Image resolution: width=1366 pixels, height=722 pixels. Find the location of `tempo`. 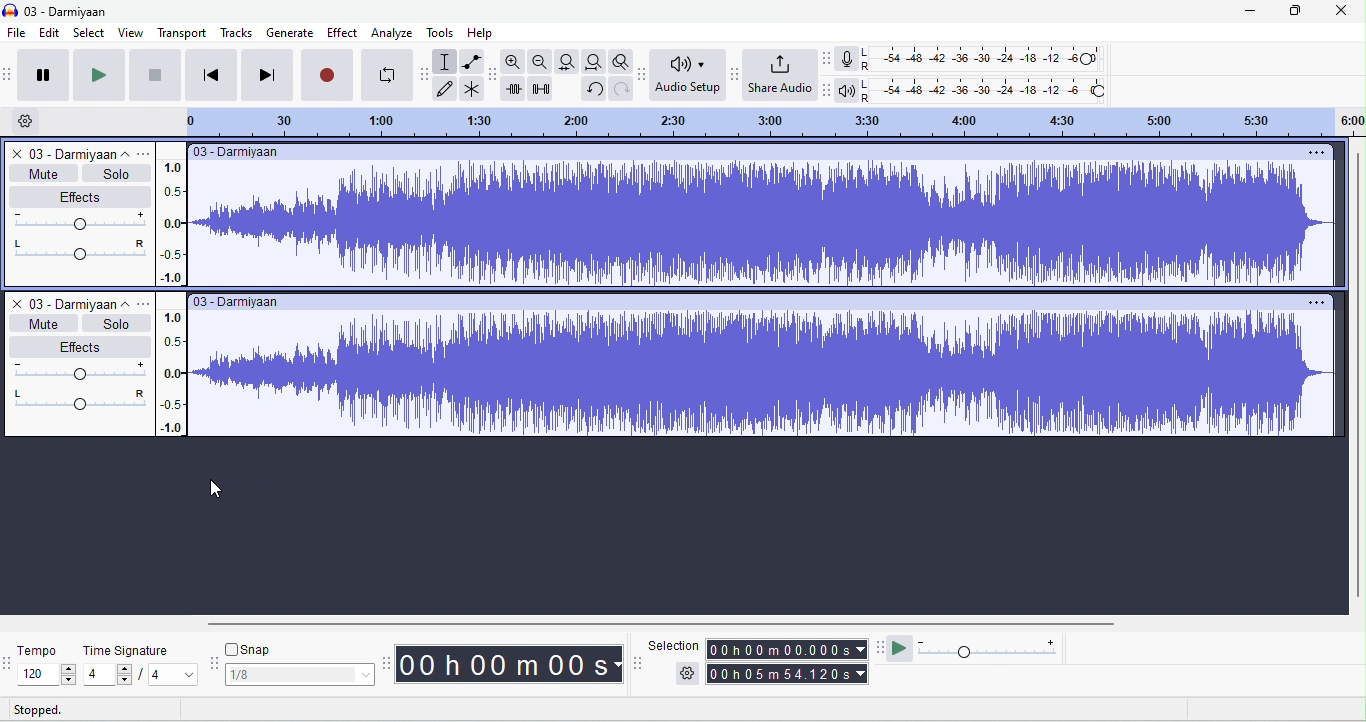

tempo is located at coordinates (38, 650).